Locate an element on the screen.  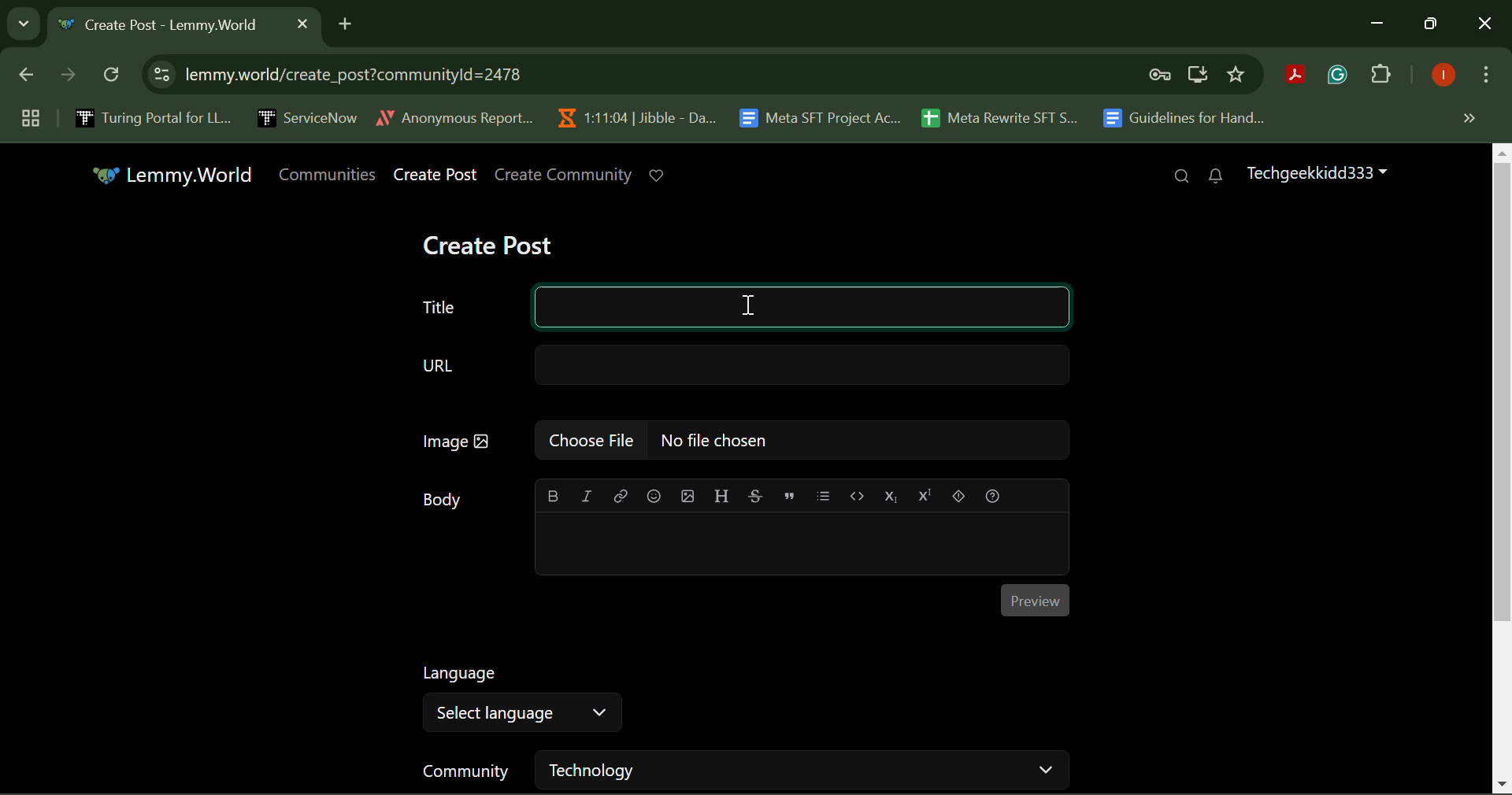
link is located at coordinates (621, 497).